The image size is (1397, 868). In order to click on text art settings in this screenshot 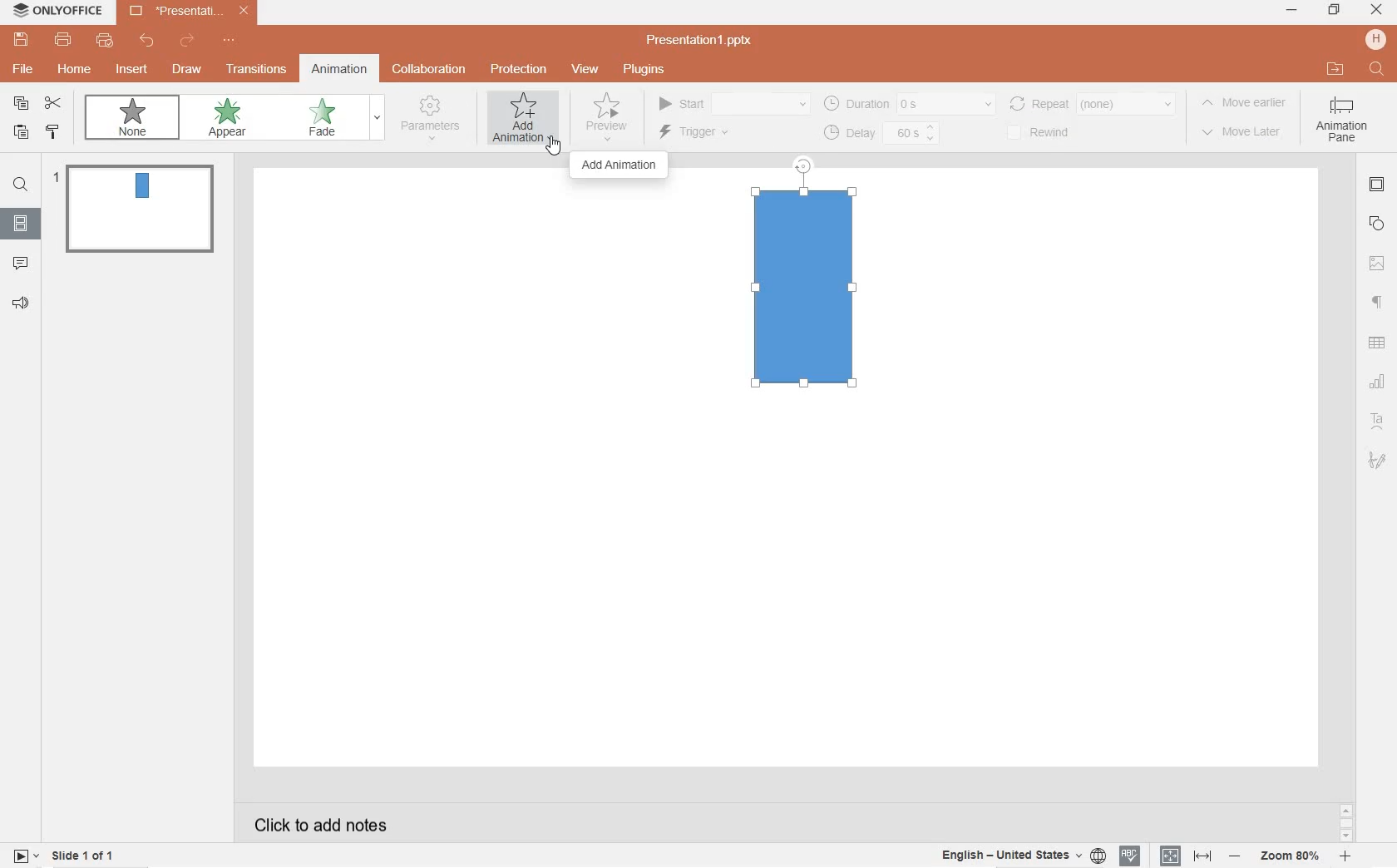, I will do `click(1375, 419)`.